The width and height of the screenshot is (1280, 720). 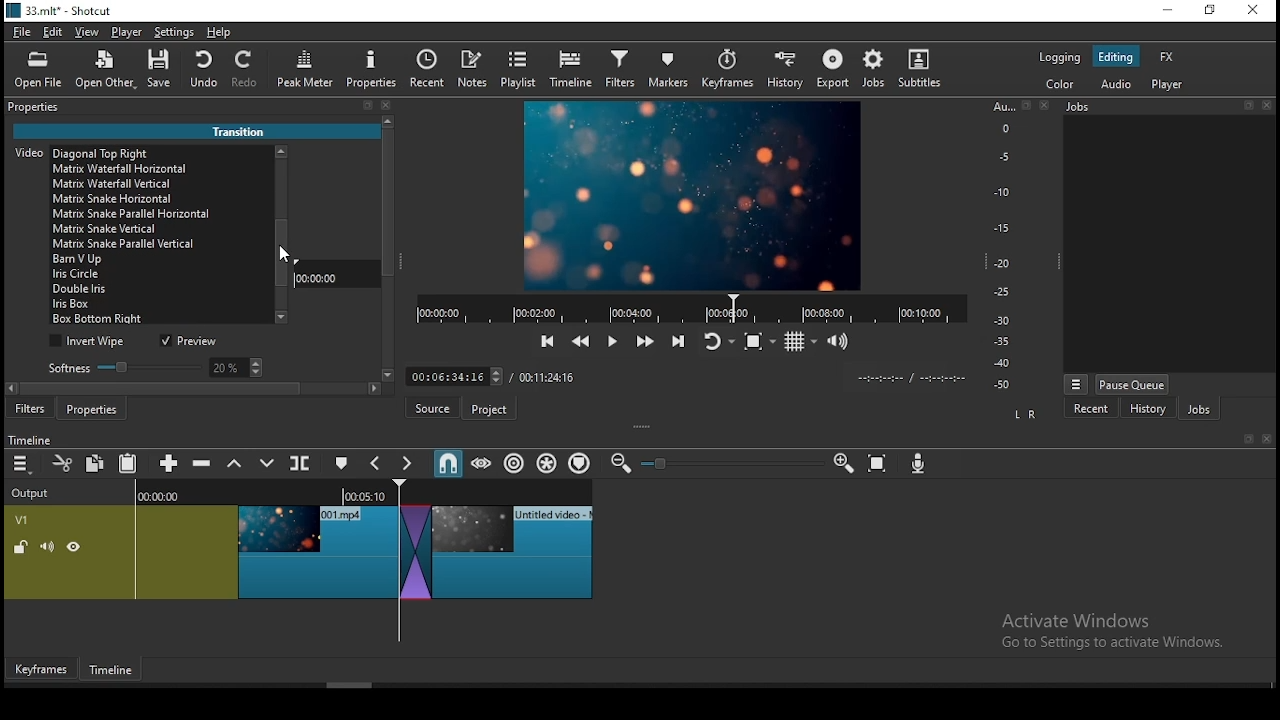 I want to click on transition option, so click(x=162, y=290).